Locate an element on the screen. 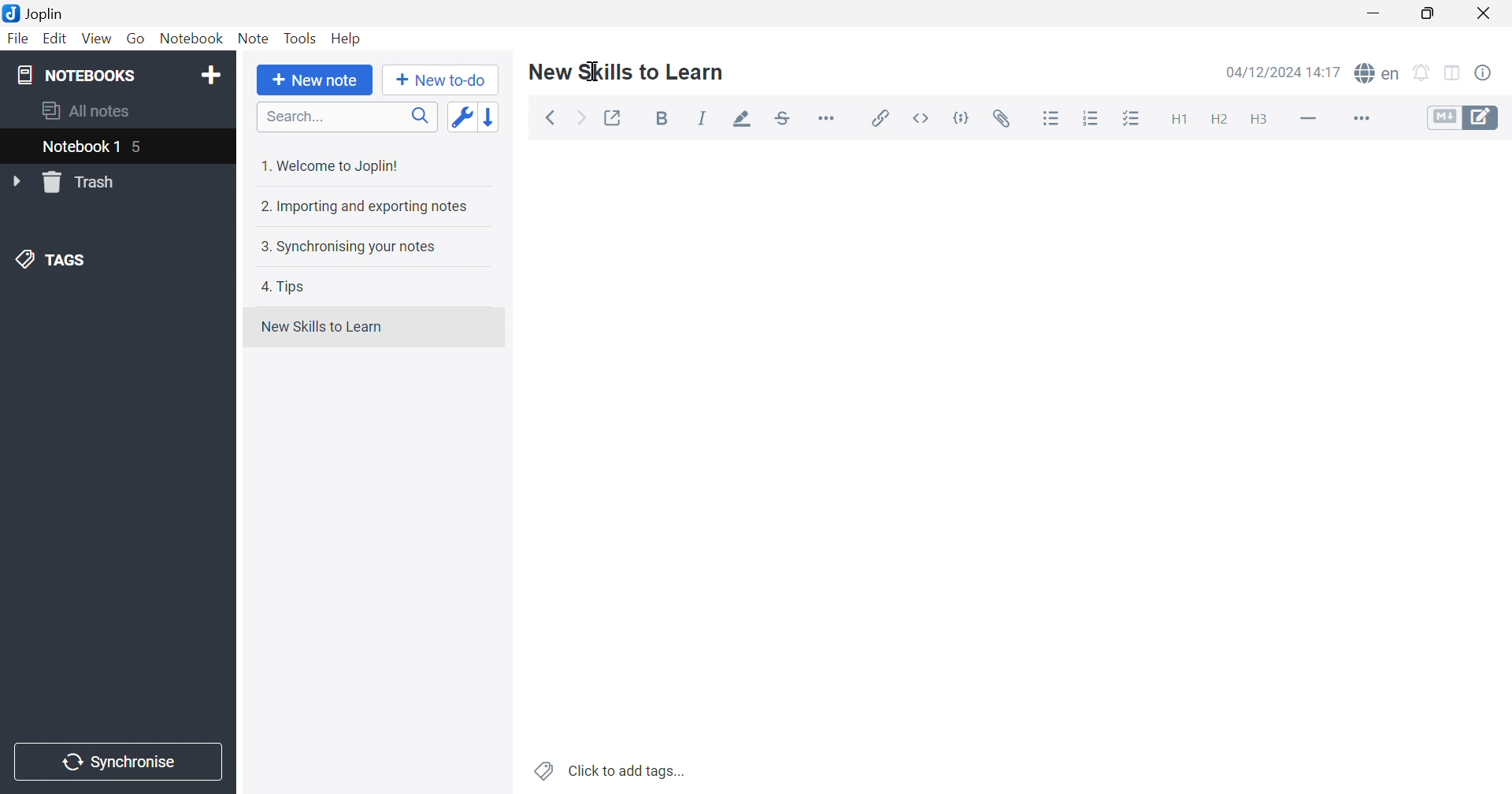  Bullet list is located at coordinates (1051, 119).